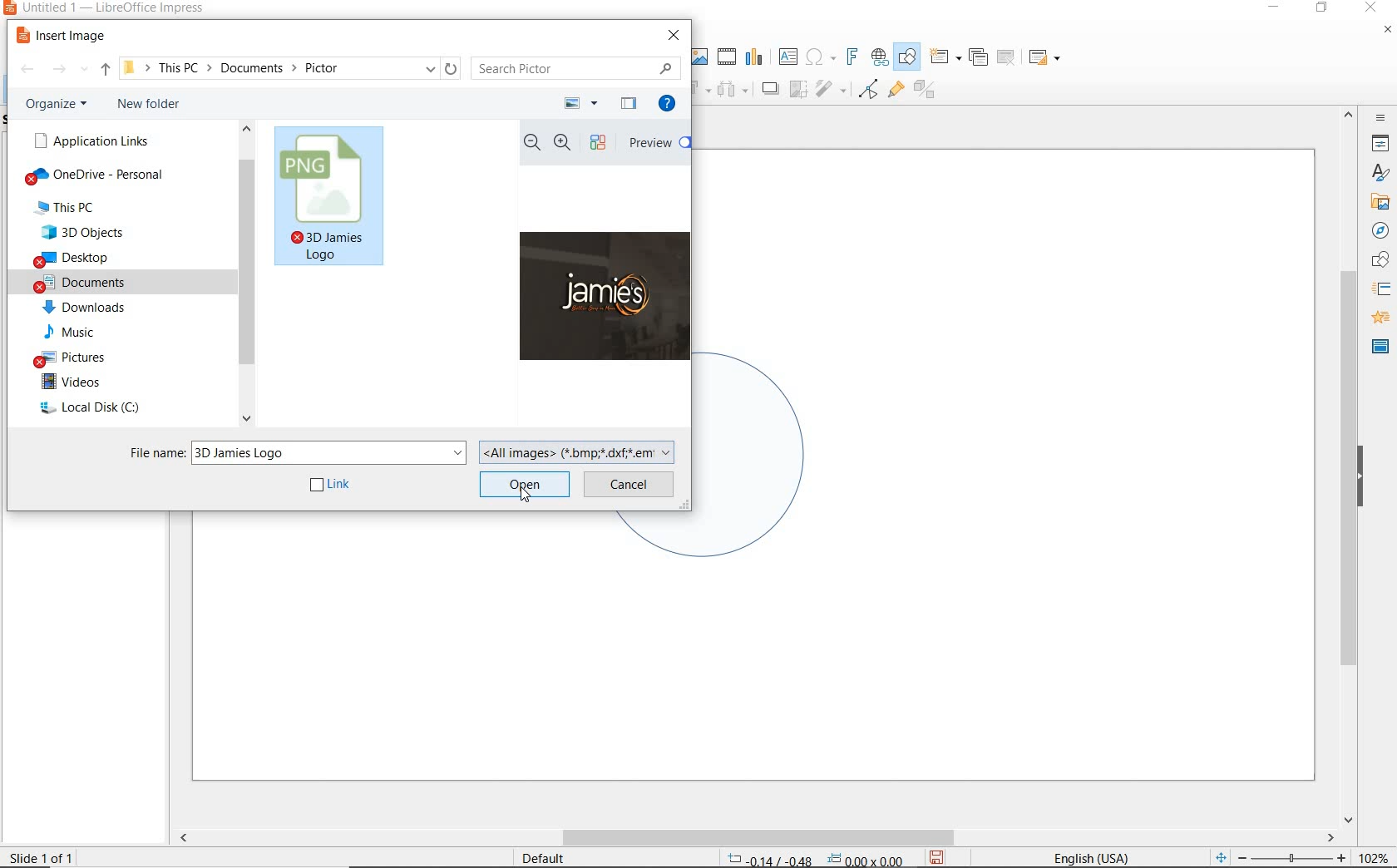 Image resolution: width=1397 pixels, height=868 pixels. I want to click on new folder, so click(153, 106).